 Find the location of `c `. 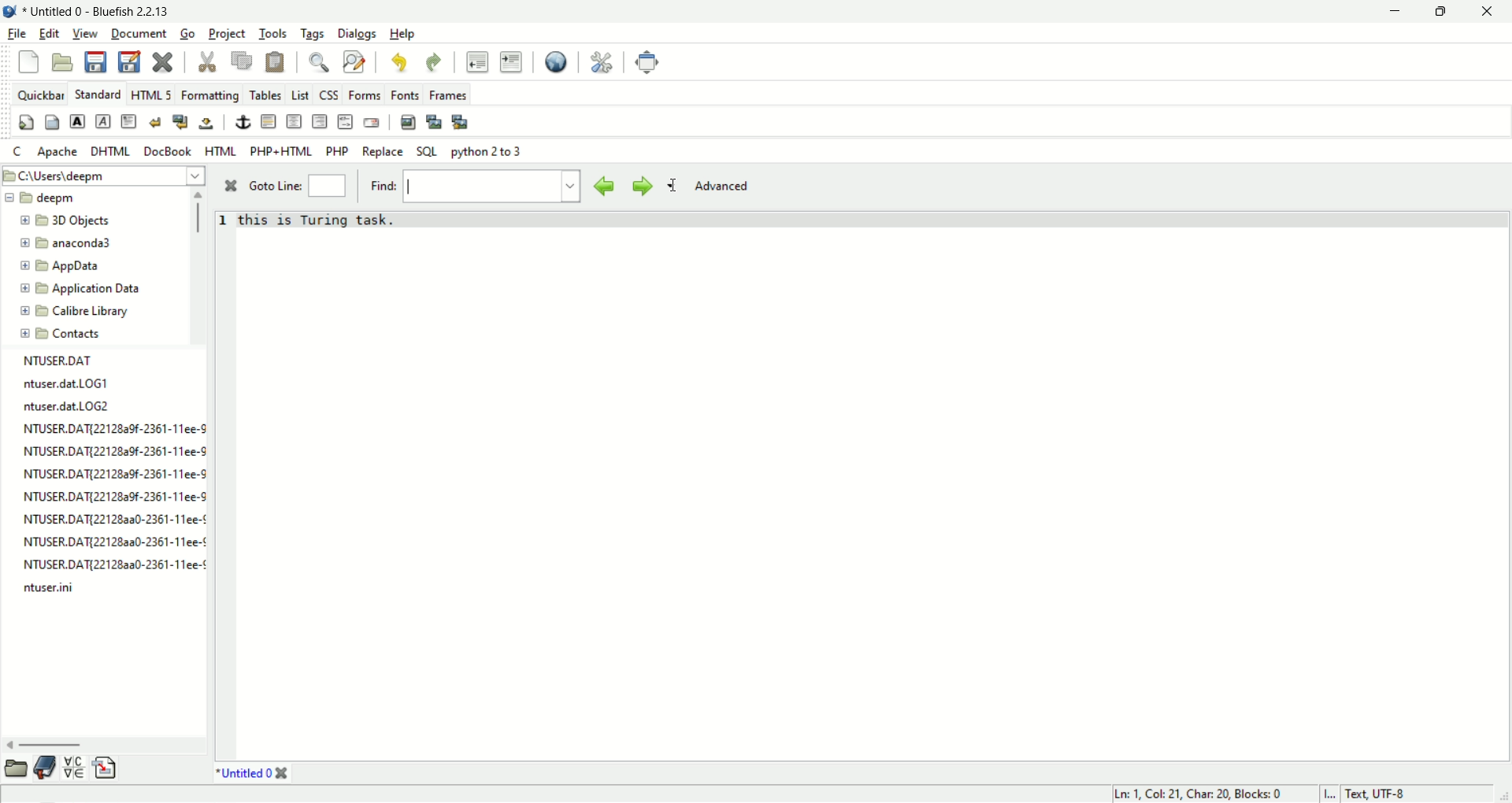

c  is located at coordinates (19, 153).